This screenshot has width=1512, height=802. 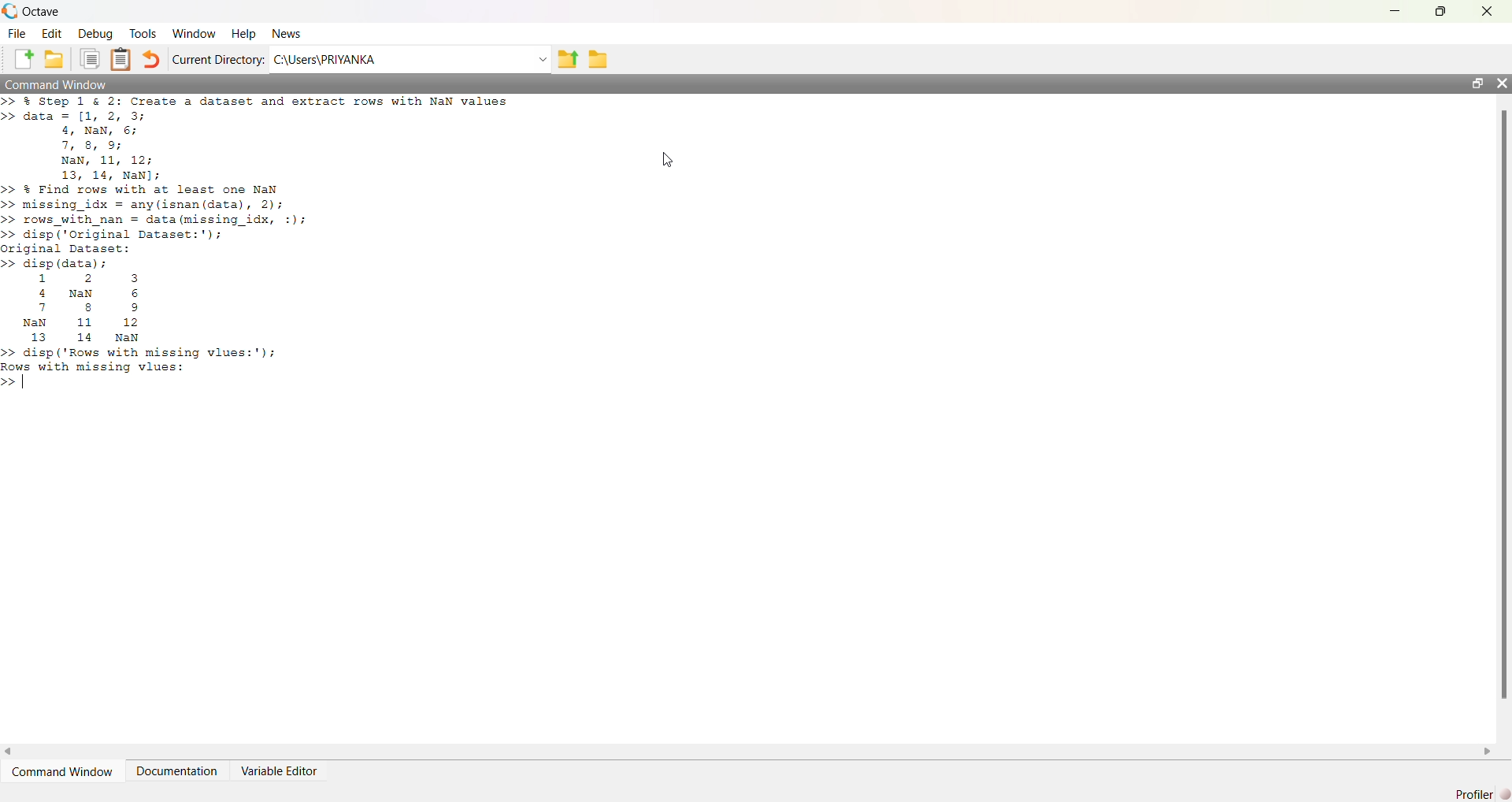 What do you see at coordinates (324, 59) in the screenshot?
I see `C:\Users\PRIYANKA` at bounding box center [324, 59].